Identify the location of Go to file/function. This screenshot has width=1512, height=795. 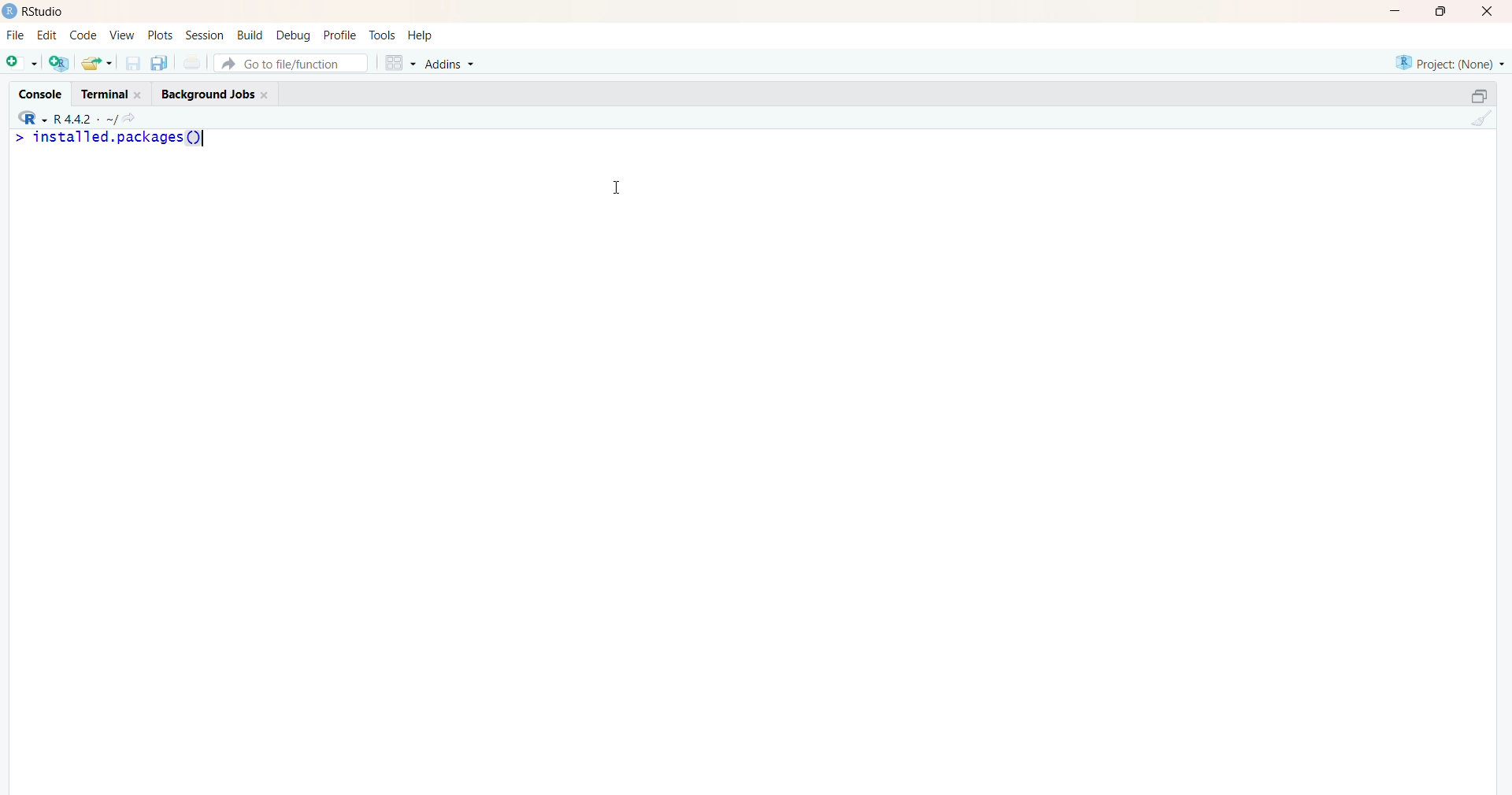
(295, 63).